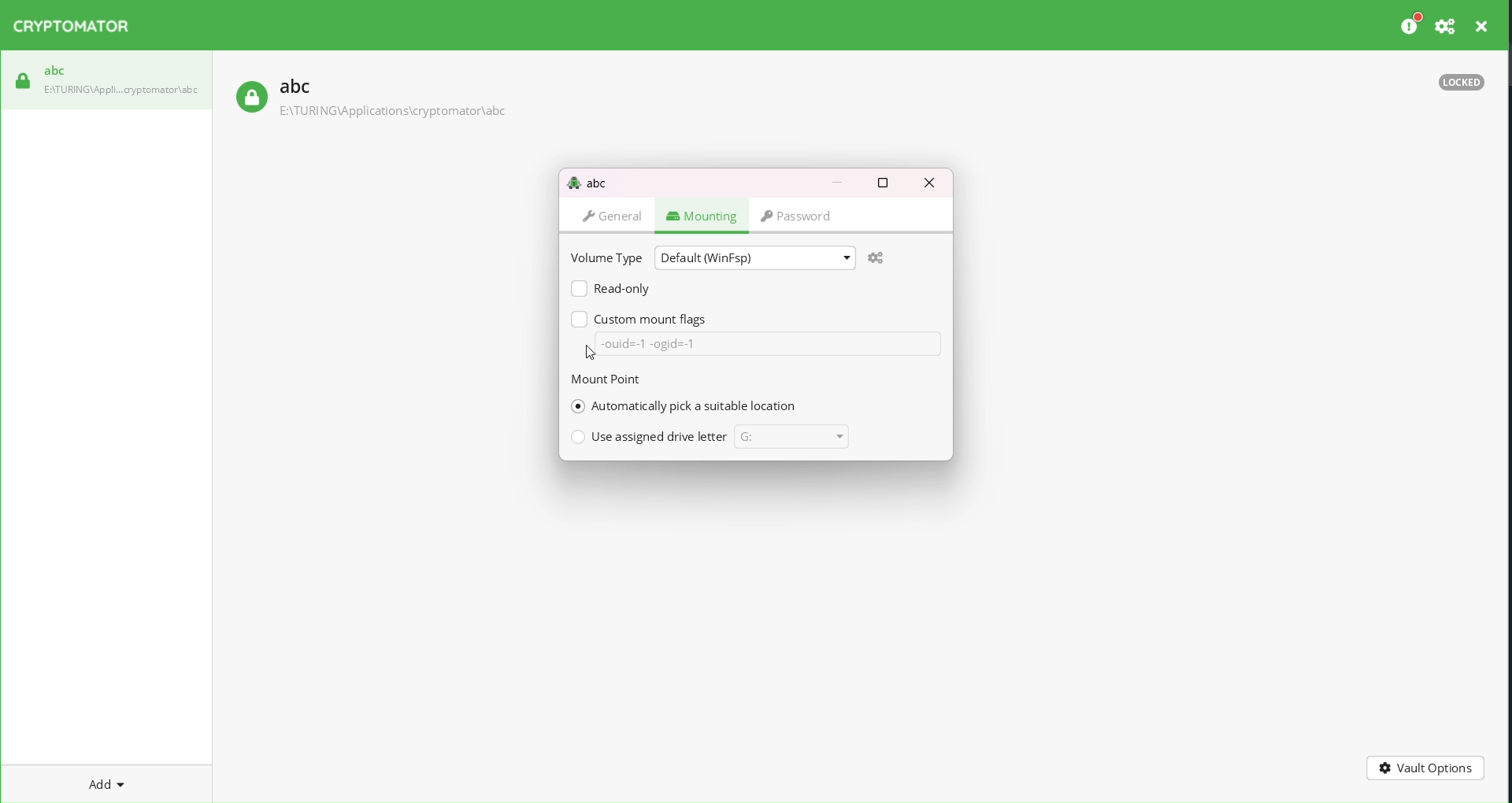 The width and height of the screenshot is (1512, 803). I want to click on maximize, so click(882, 182).